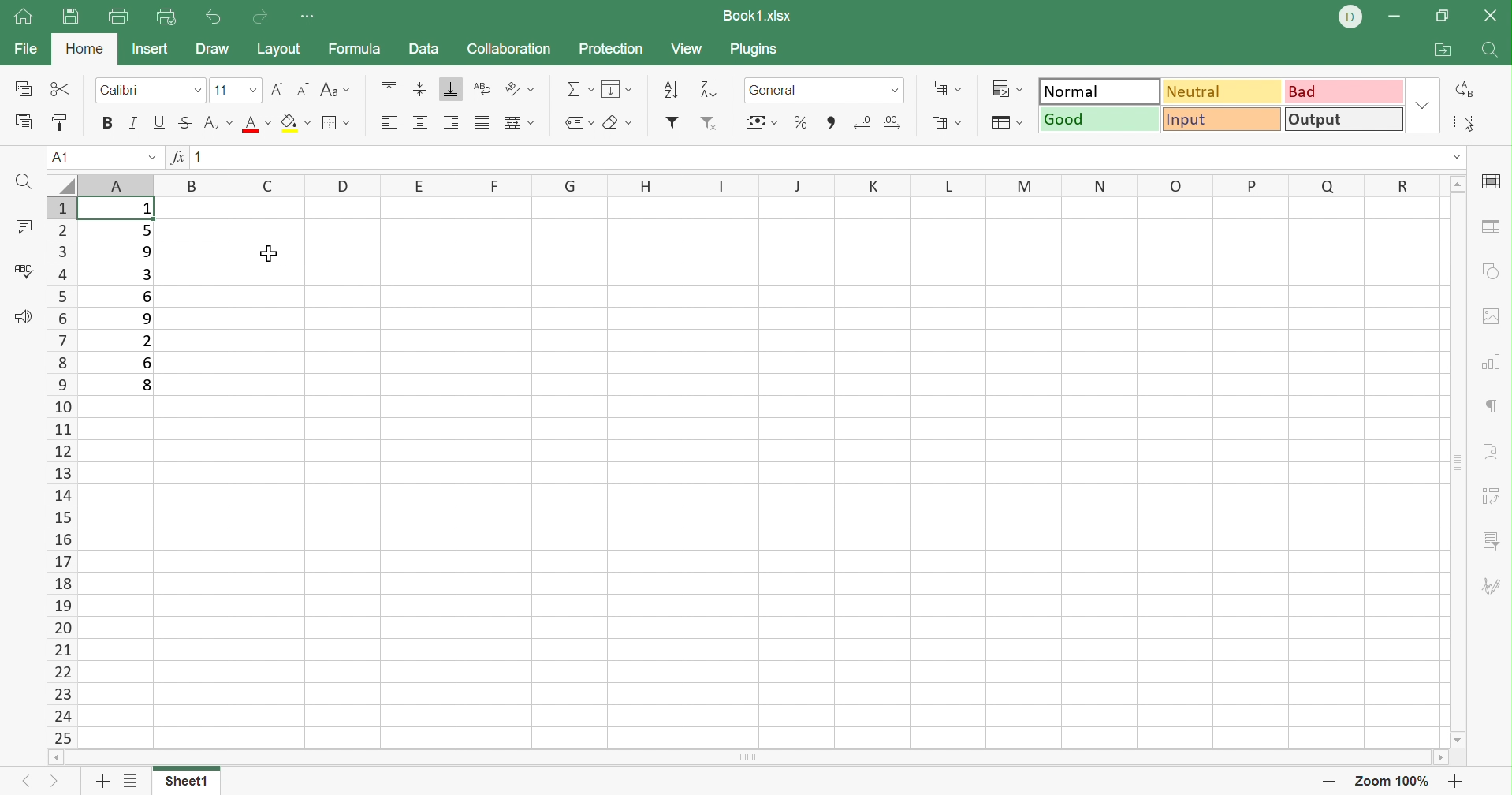  Describe the element at coordinates (1100, 90) in the screenshot. I see `Normal` at that location.